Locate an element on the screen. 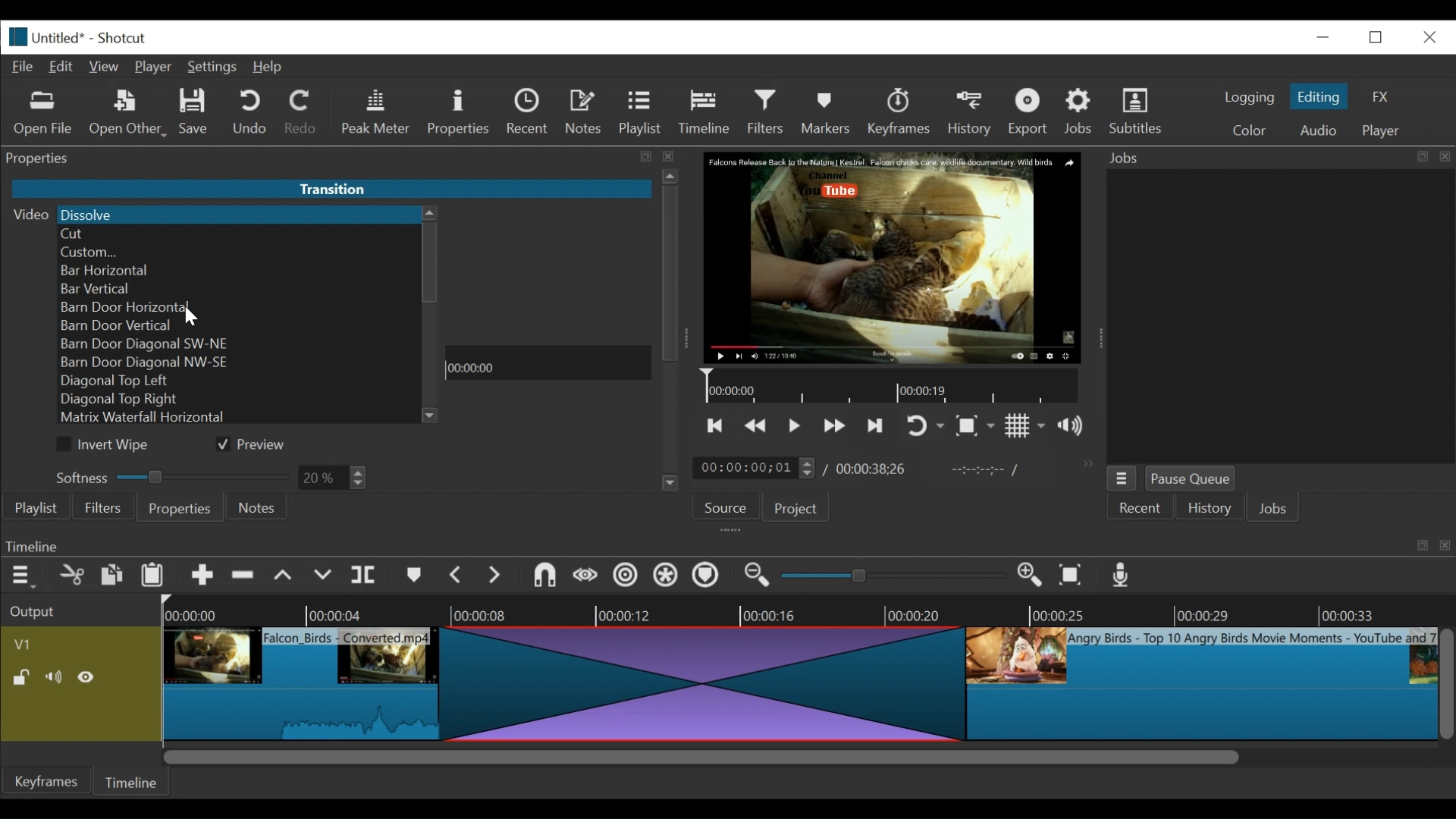  Transition Preview is located at coordinates (549, 278).